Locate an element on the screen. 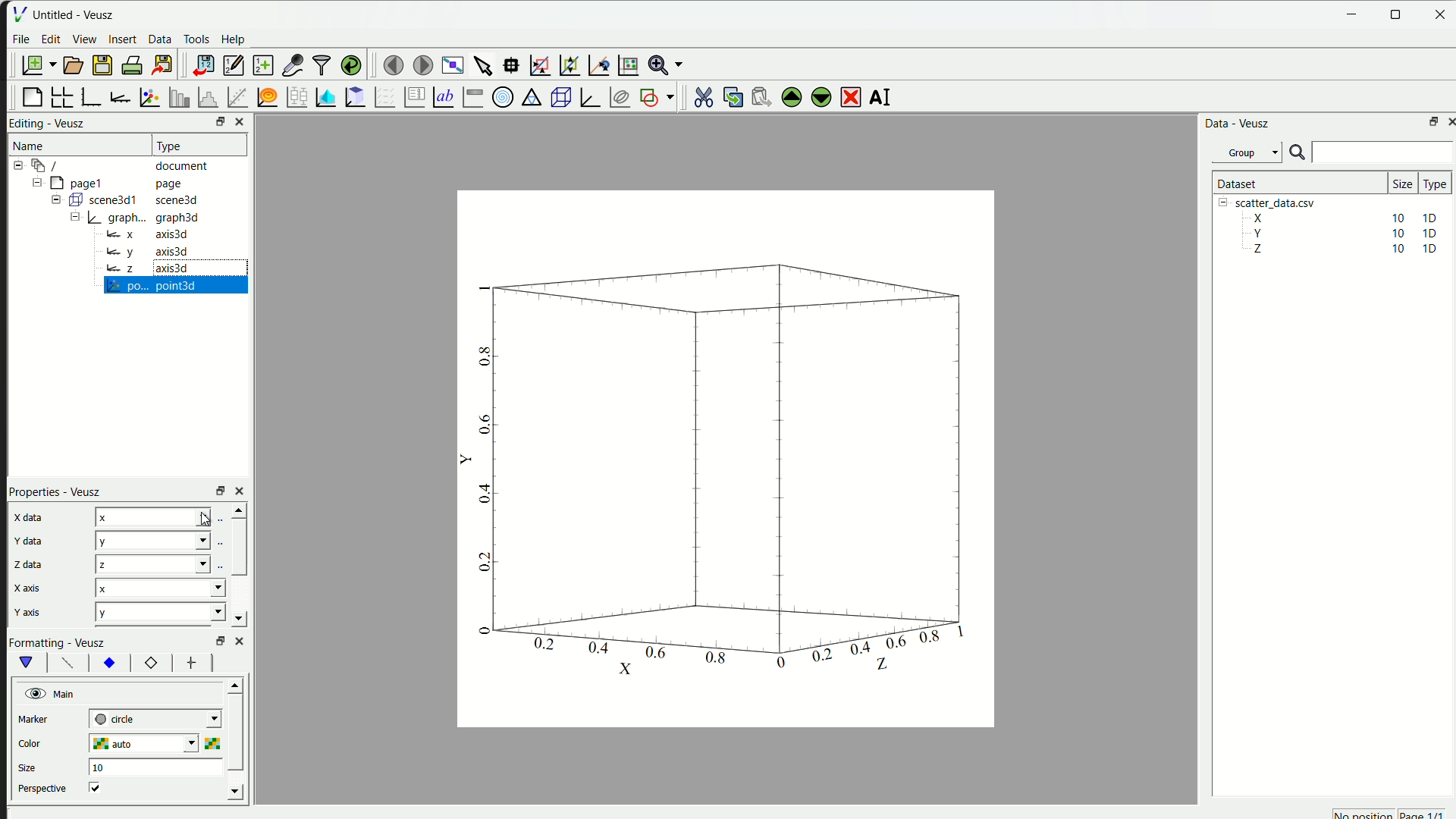  wy axis3d is located at coordinates (146, 250).